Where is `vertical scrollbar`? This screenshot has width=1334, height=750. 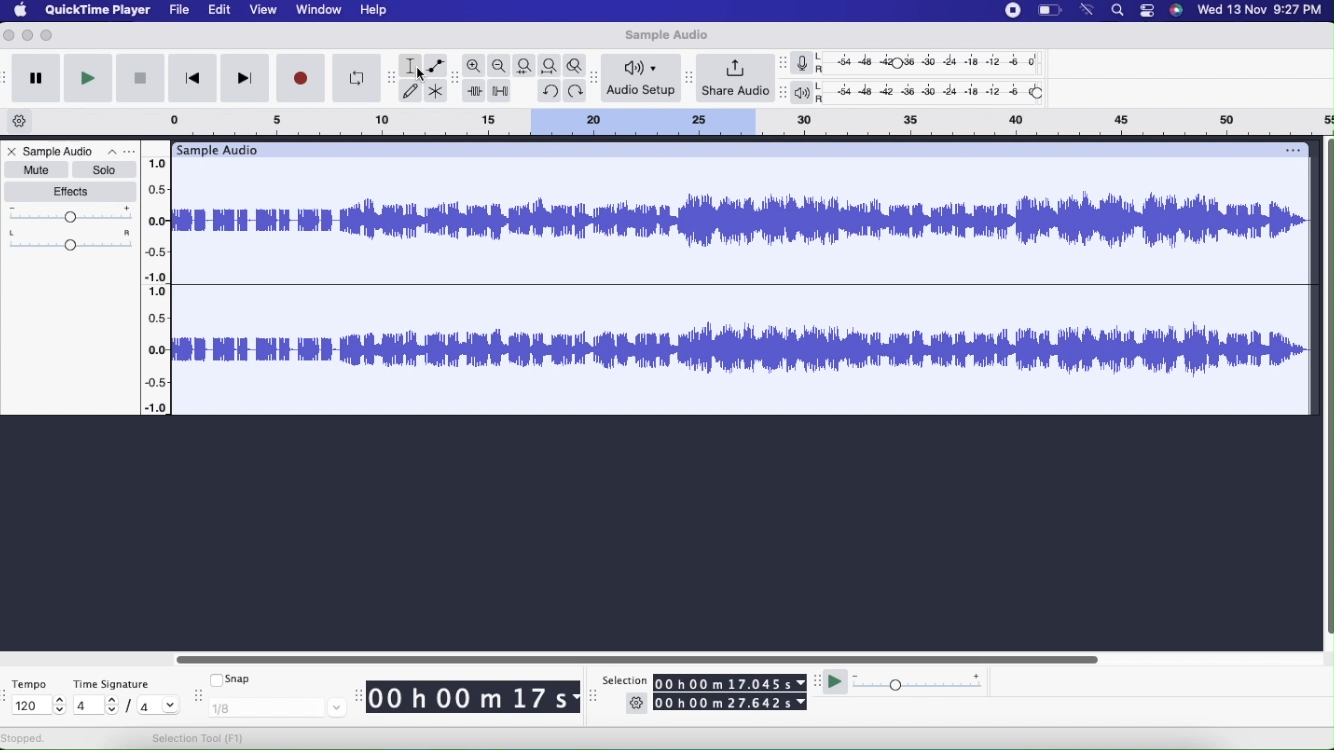 vertical scrollbar is located at coordinates (1326, 394).